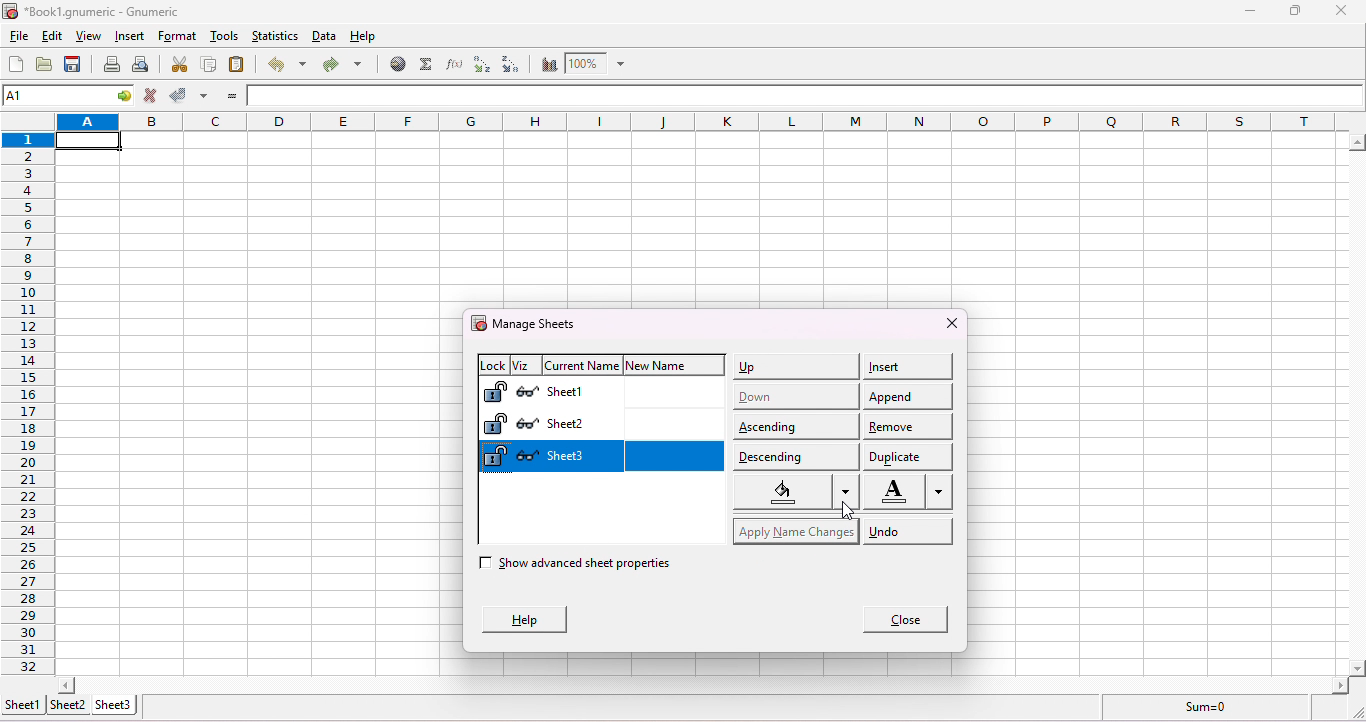 The height and width of the screenshot is (722, 1366). Describe the element at coordinates (632, 394) in the screenshot. I see `sheet 1` at that location.